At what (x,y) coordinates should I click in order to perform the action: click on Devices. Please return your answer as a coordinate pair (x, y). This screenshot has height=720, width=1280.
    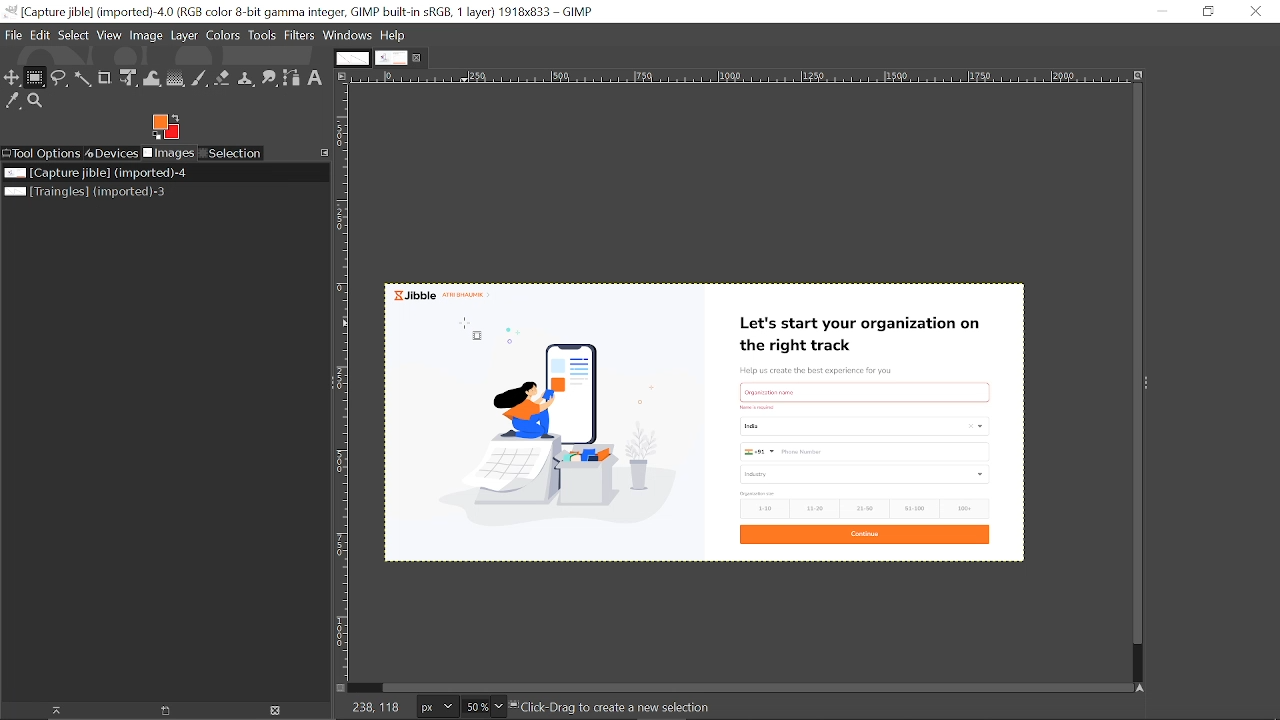
    Looking at the image, I should click on (115, 152).